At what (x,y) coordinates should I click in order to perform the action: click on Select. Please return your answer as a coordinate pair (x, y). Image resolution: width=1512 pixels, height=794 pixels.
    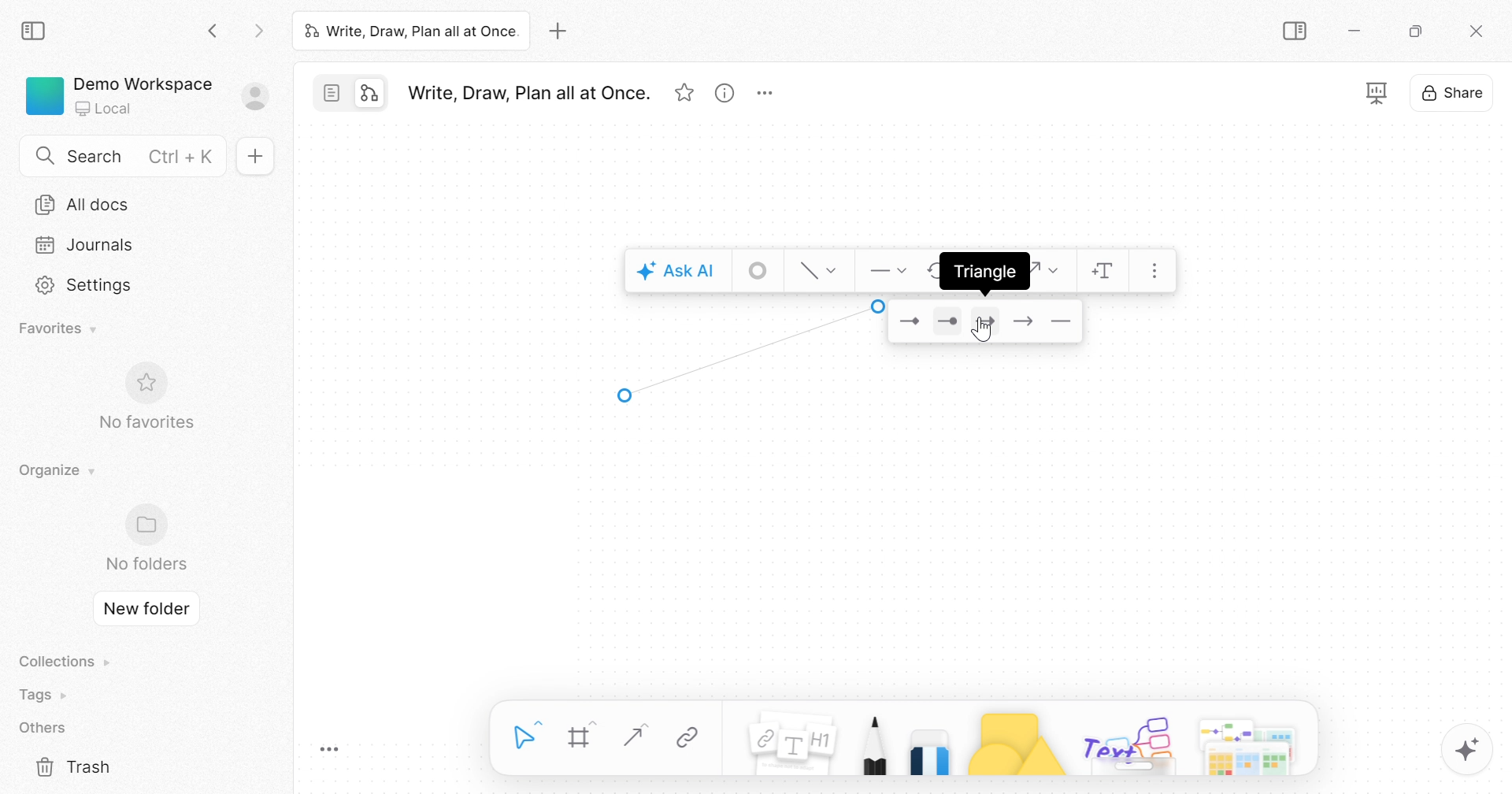
    Looking at the image, I should click on (527, 736).